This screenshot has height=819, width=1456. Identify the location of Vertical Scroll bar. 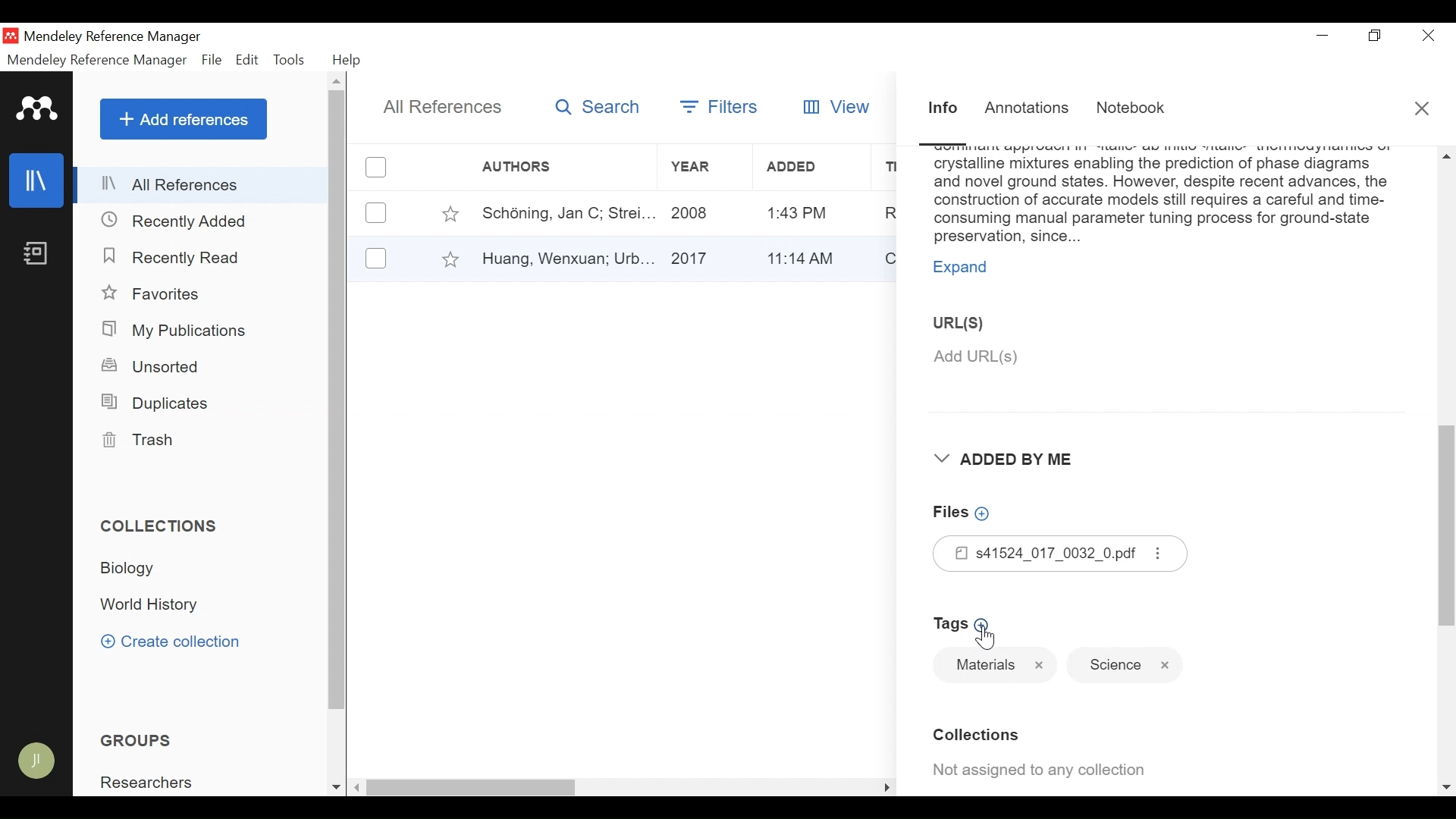
(338, 400).